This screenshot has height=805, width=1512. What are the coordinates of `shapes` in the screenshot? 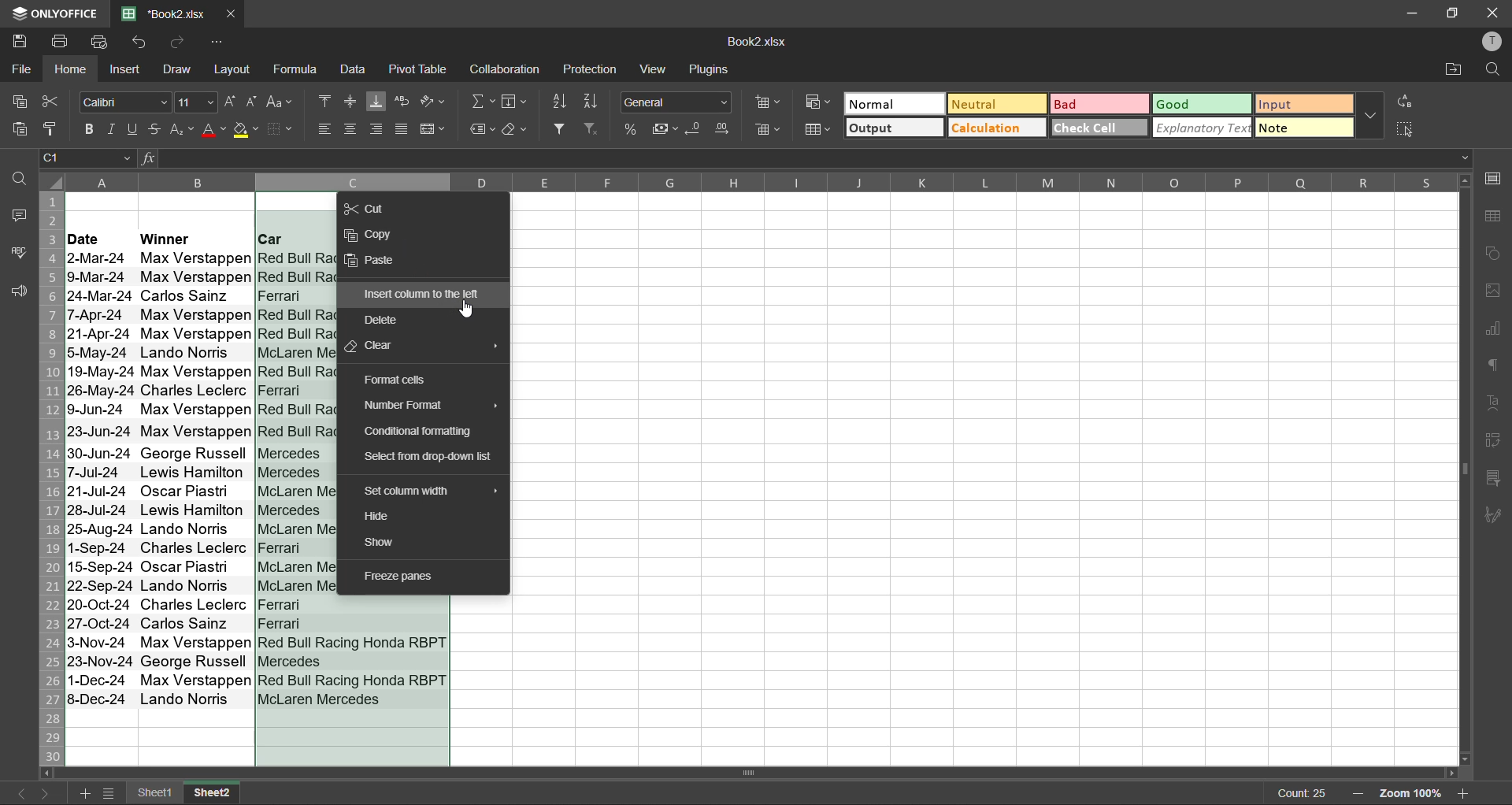 It's located at (1492, 254).